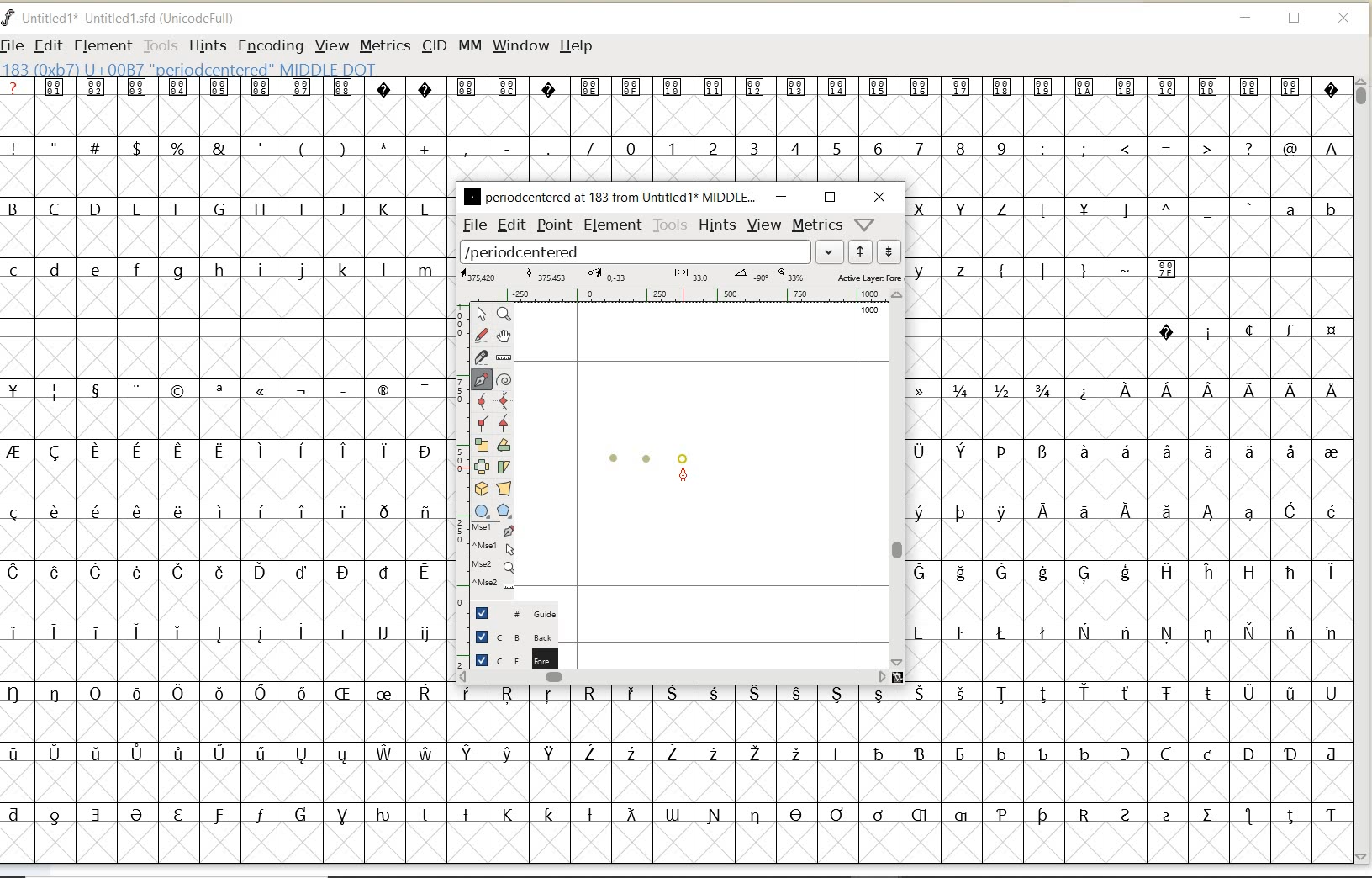 Image resolution: width=1372 pixels, height=878 pixels. I want to click on special characters, so click(1108, 276).